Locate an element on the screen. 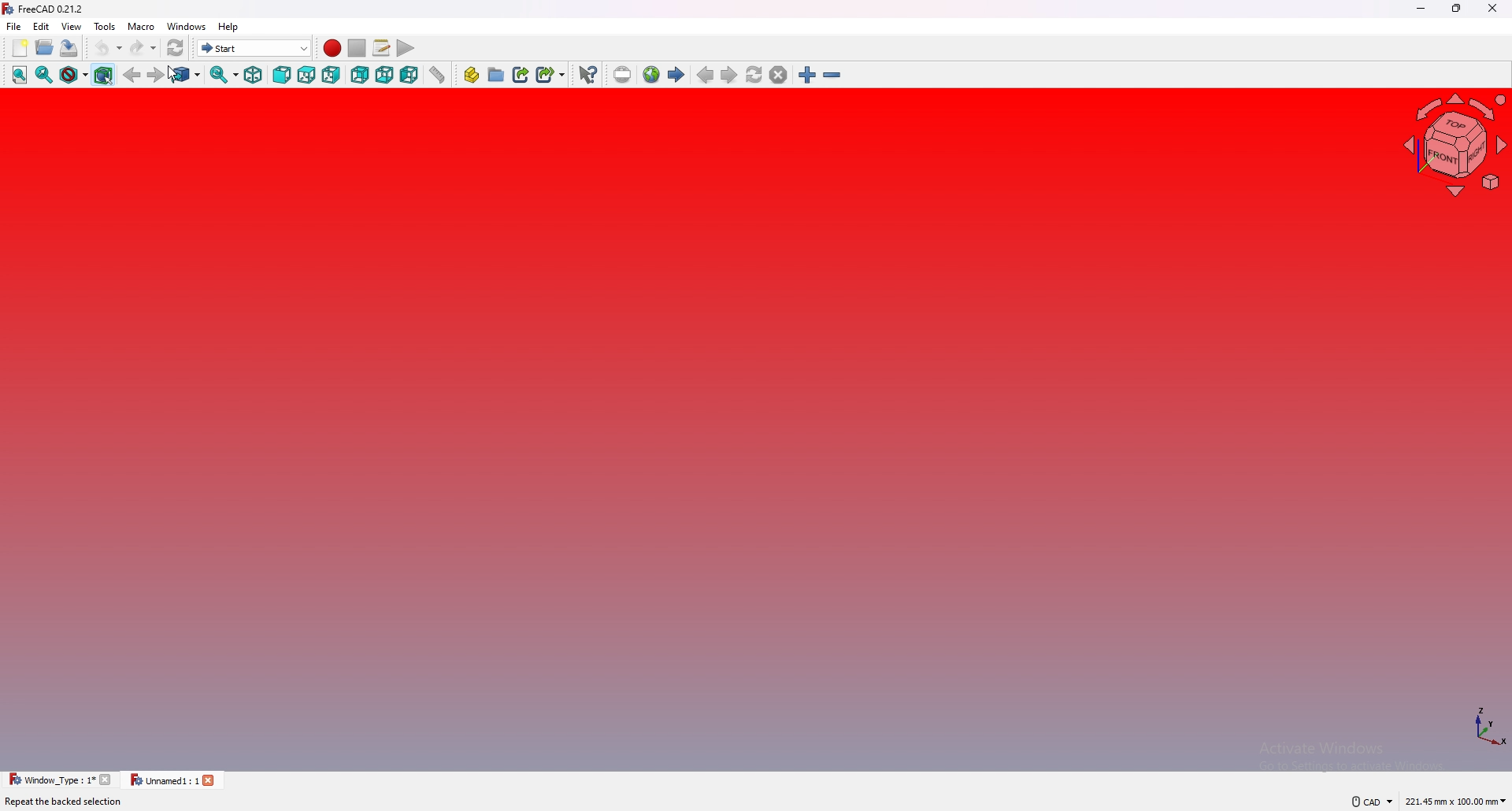 Image resolution: width=1512 pixels, height=811 pixels. navigating cube is located at coordinates (1454, 146).